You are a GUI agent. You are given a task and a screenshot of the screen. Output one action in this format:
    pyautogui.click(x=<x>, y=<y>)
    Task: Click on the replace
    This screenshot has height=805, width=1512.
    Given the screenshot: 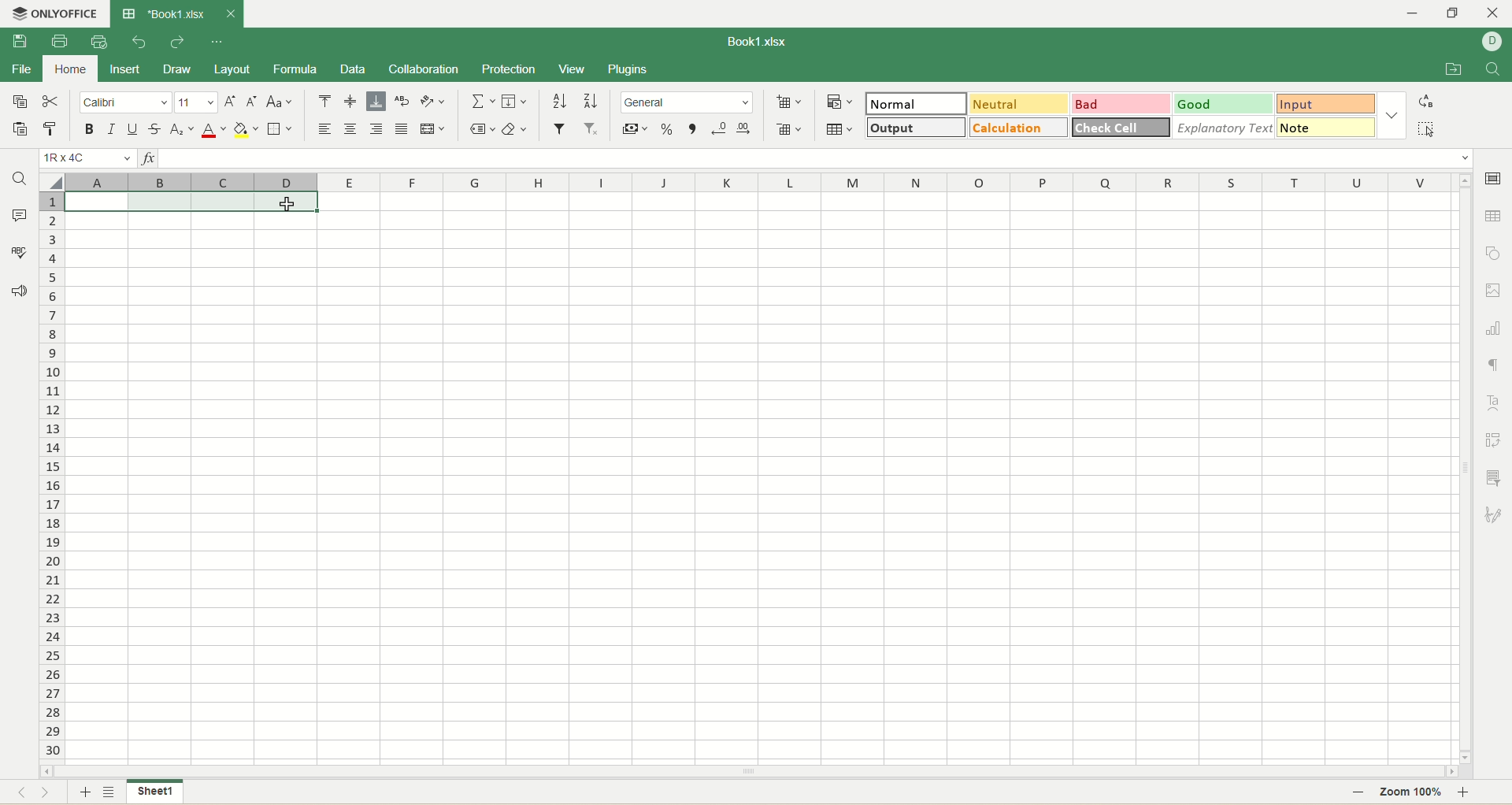 What is the action you would take?
    pyautogui.click(x=1425, y=102)
    